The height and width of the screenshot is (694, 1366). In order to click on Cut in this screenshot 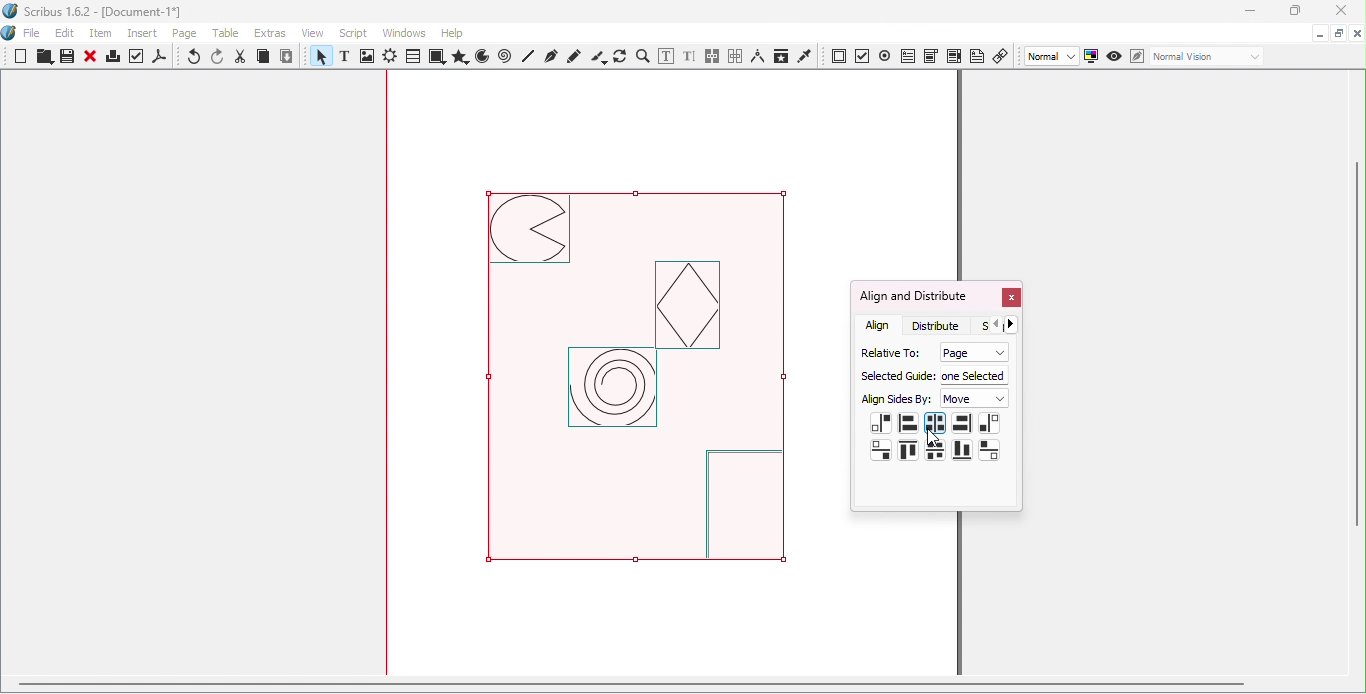, I will do `click(241, 57)`.